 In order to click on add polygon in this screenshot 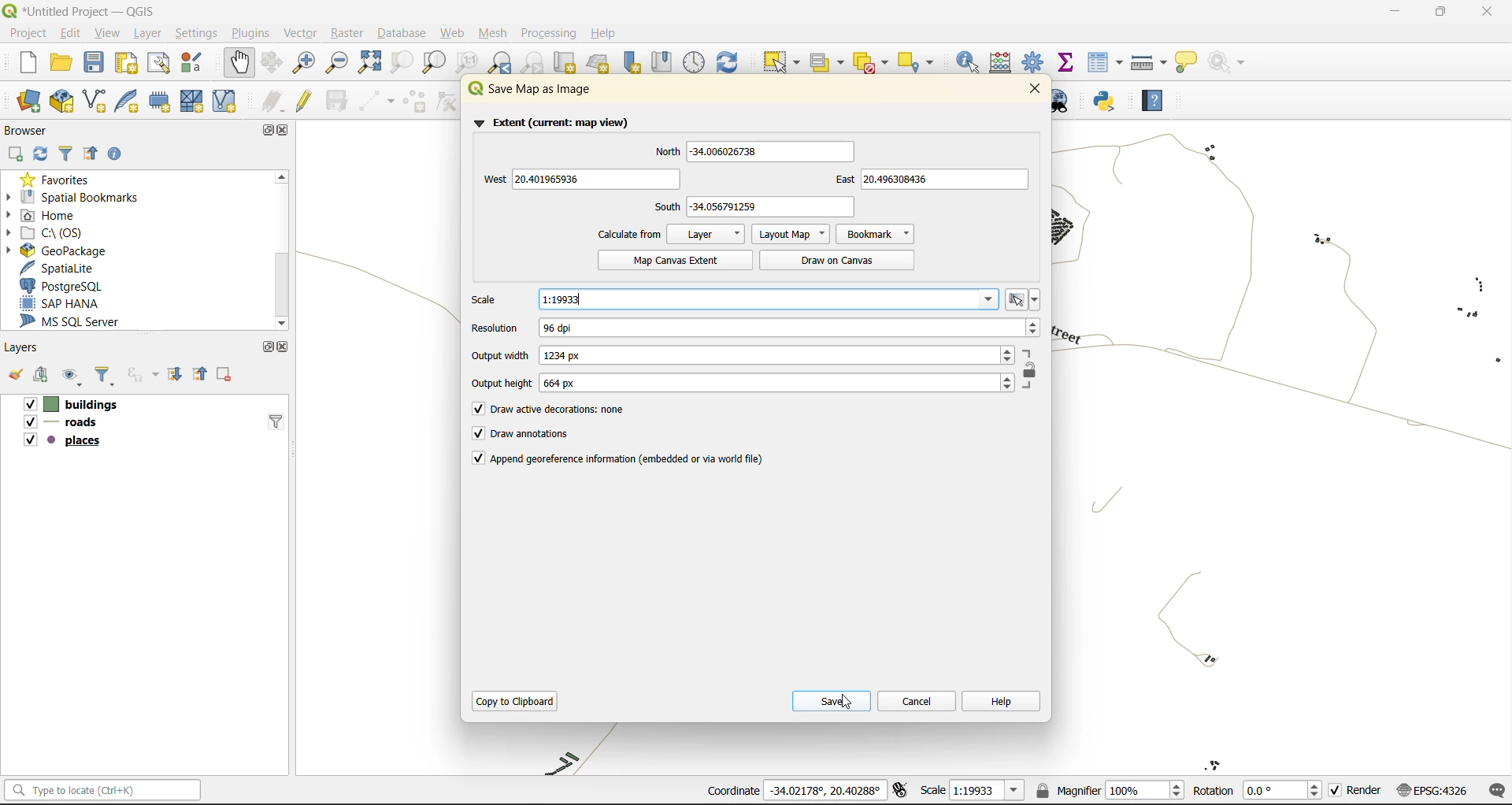, I will do `click(414, 102)`.